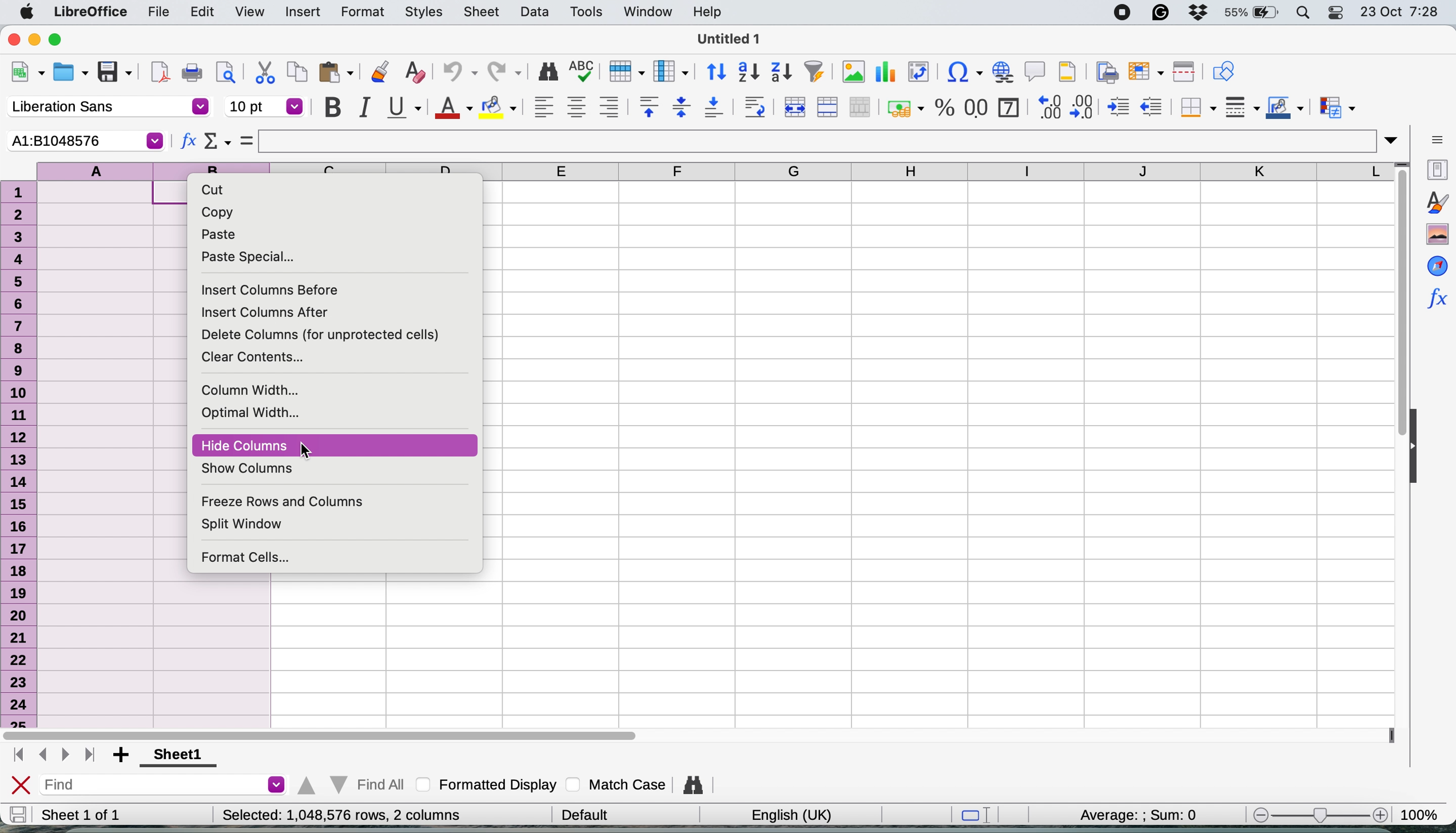 This screenshot has width=1456, height=833. What do you see at coordinates (1153, 106) in the screenshot?
I see `decrease indent` at bounding box center [1153, 106].